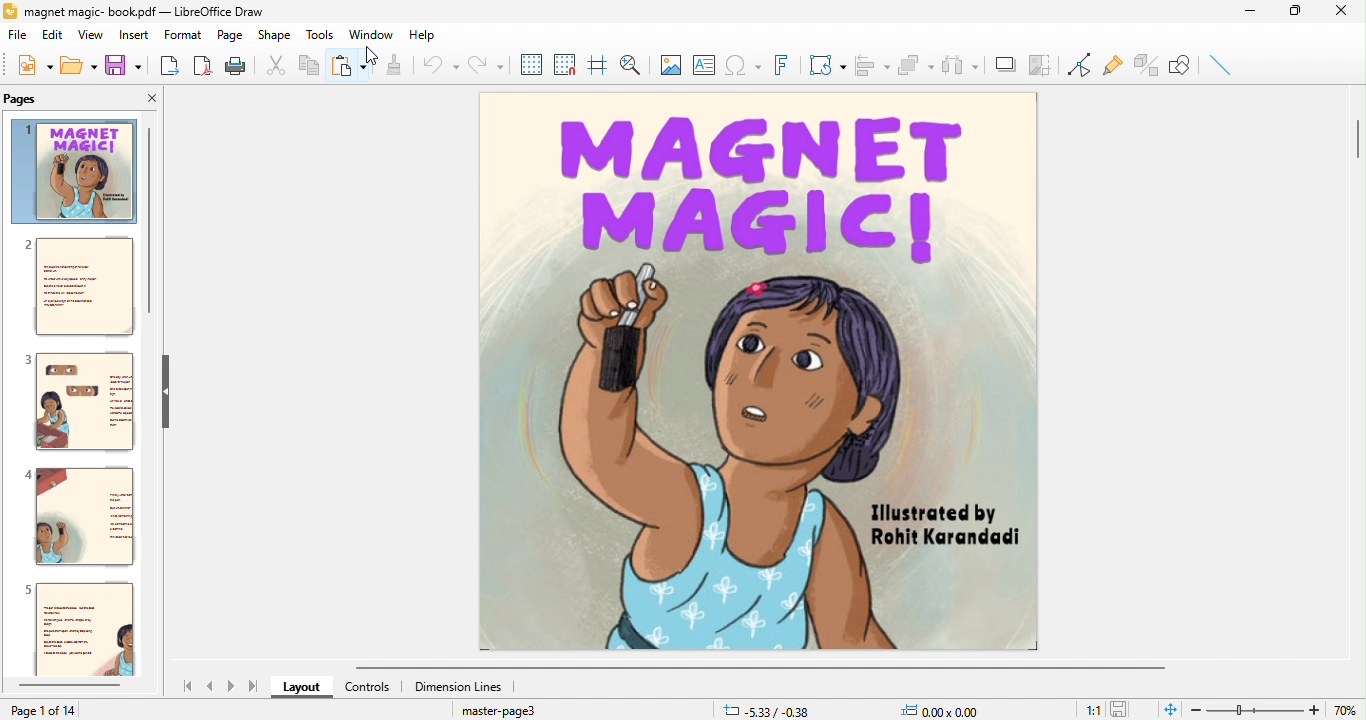 The image size is (1366, 720). I want to click on horizontal scroll bar, so click(671, 666).